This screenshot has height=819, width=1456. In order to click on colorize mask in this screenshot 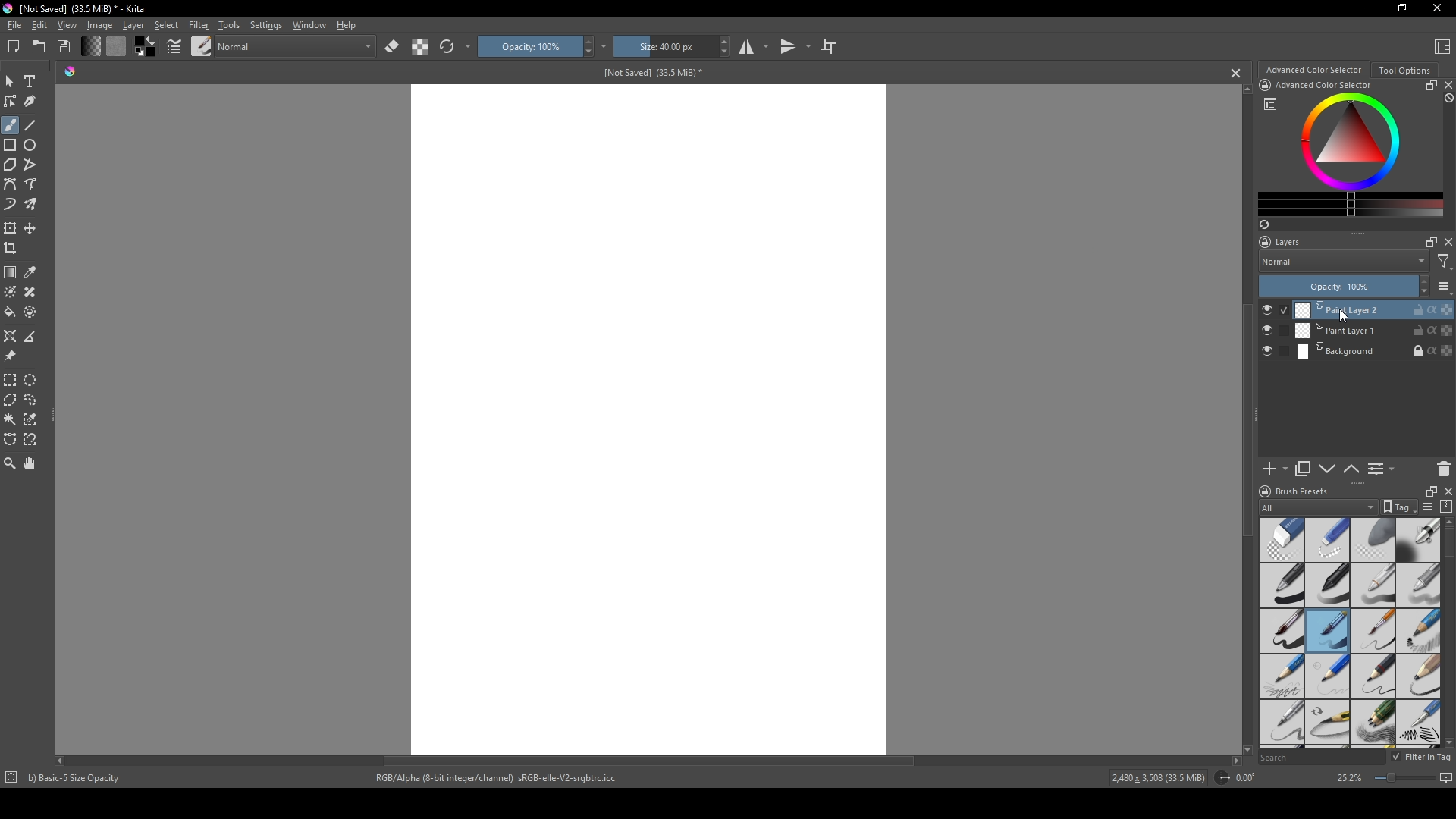, I will do `click(11, 291)`.